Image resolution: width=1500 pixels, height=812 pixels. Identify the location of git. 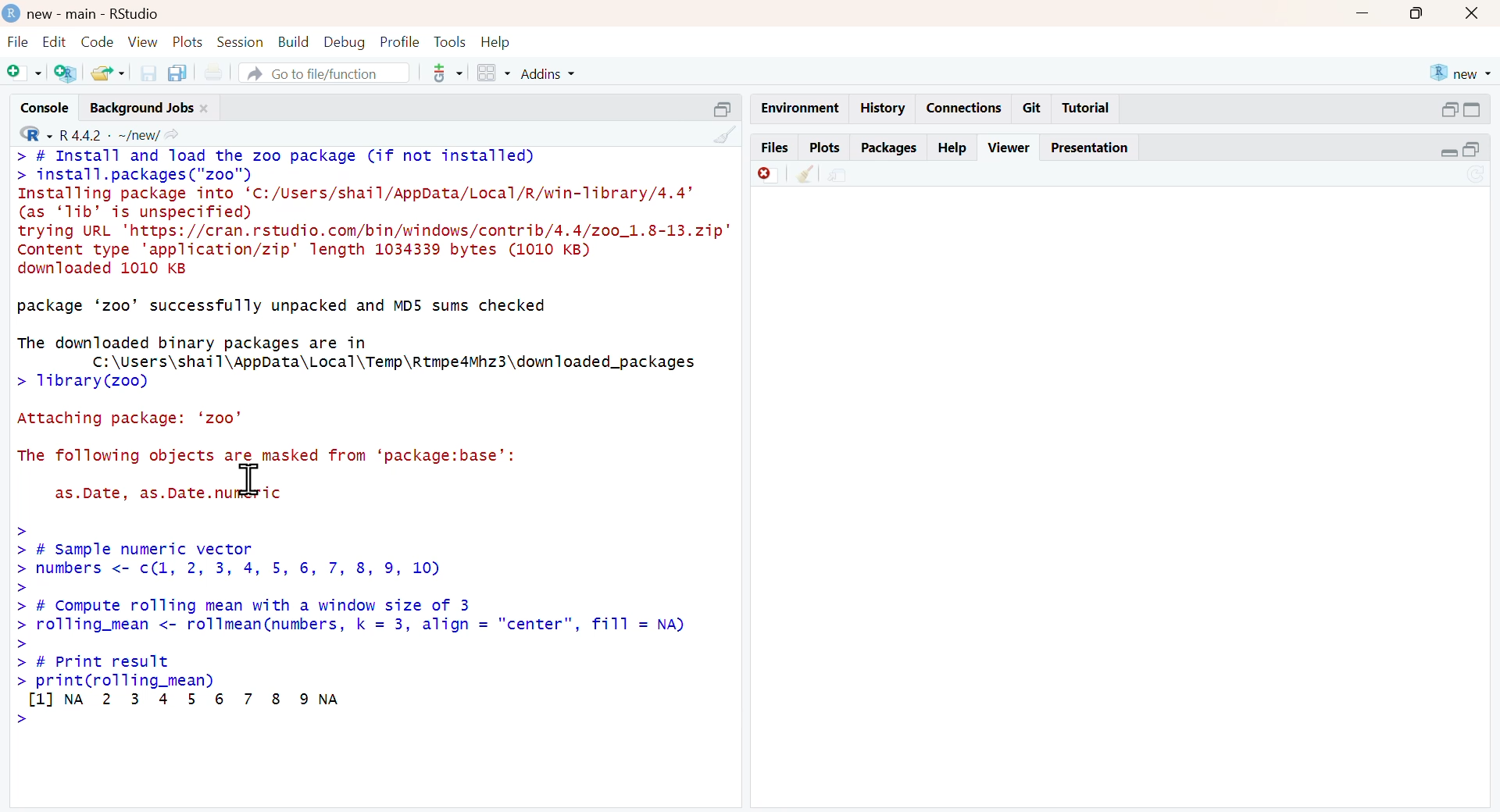
(1033, 108).